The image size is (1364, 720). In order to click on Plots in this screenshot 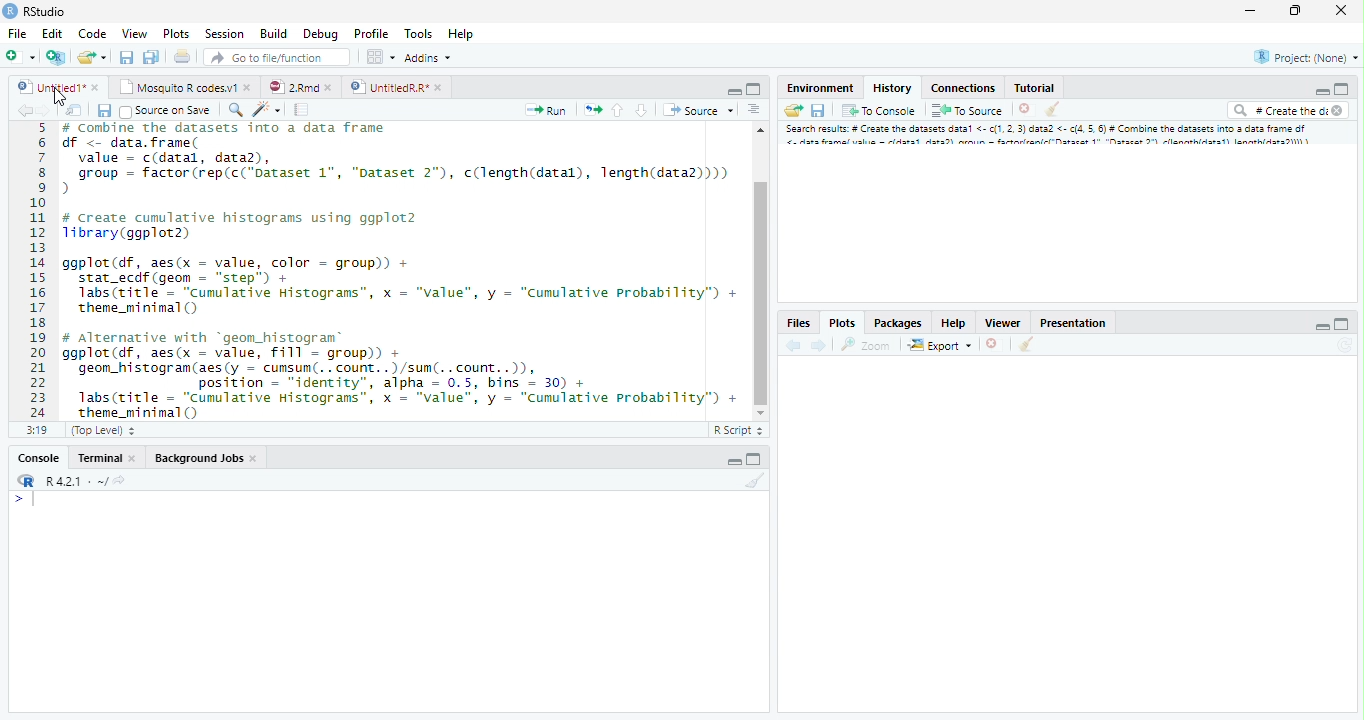, I will do `click(176, 35)`.